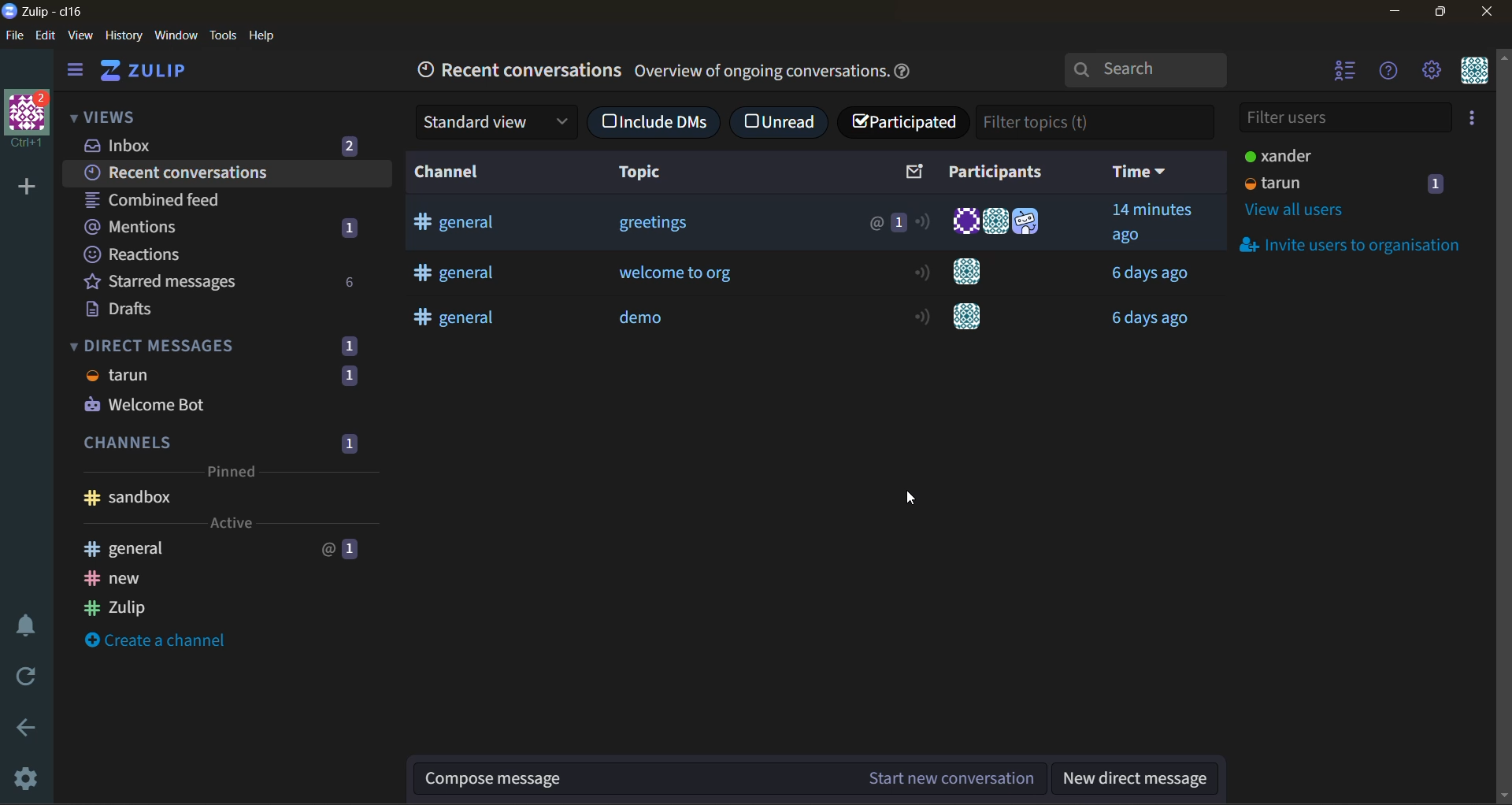 The width and height of the screenshot is (1512, 805). Describe the element at coordinates (158, 198) in the screenshot. I see `combined feed` at that location.